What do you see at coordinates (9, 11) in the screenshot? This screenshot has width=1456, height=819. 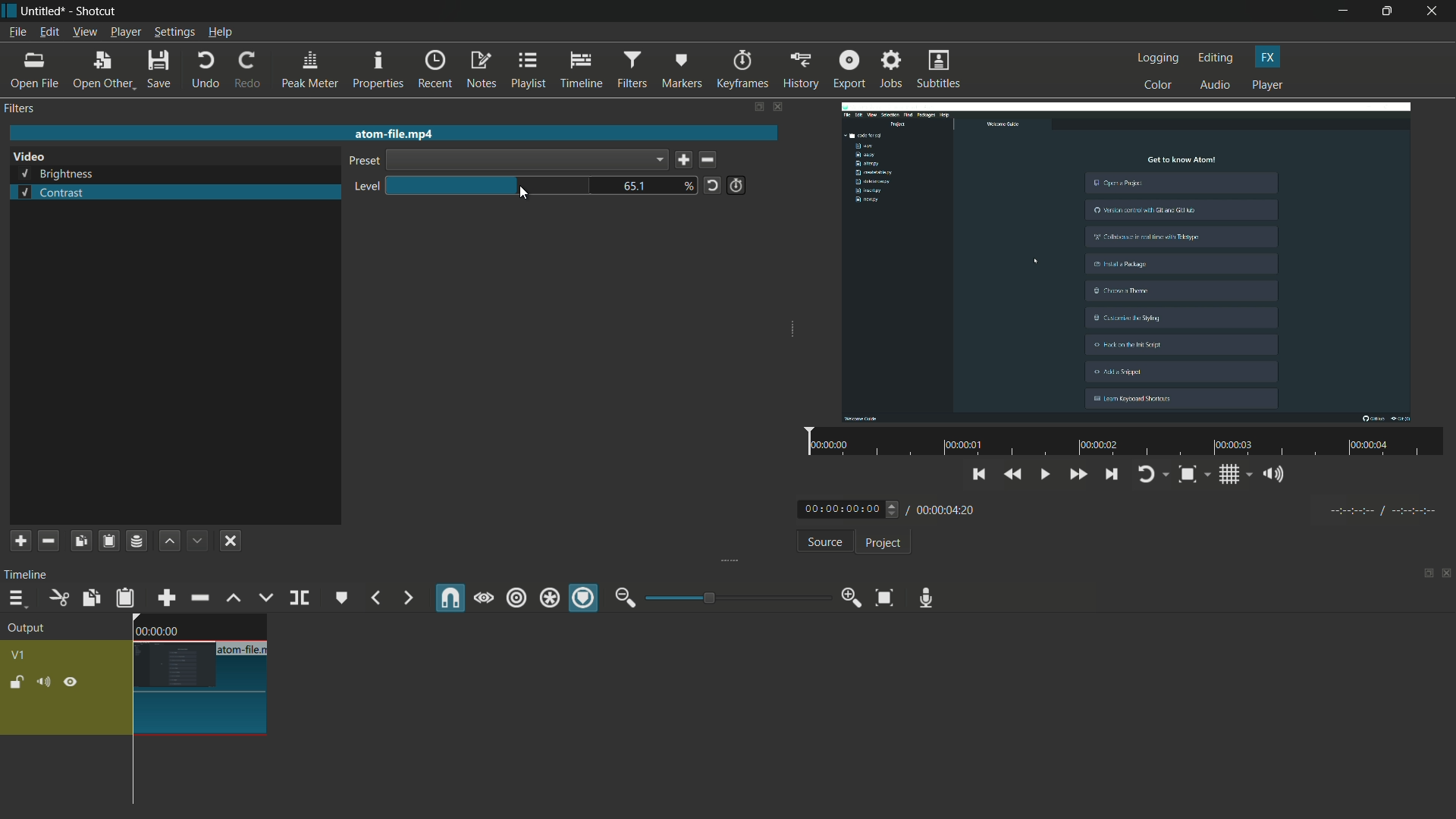 I see `Shotcut logo` at bounding box center [9, 11].